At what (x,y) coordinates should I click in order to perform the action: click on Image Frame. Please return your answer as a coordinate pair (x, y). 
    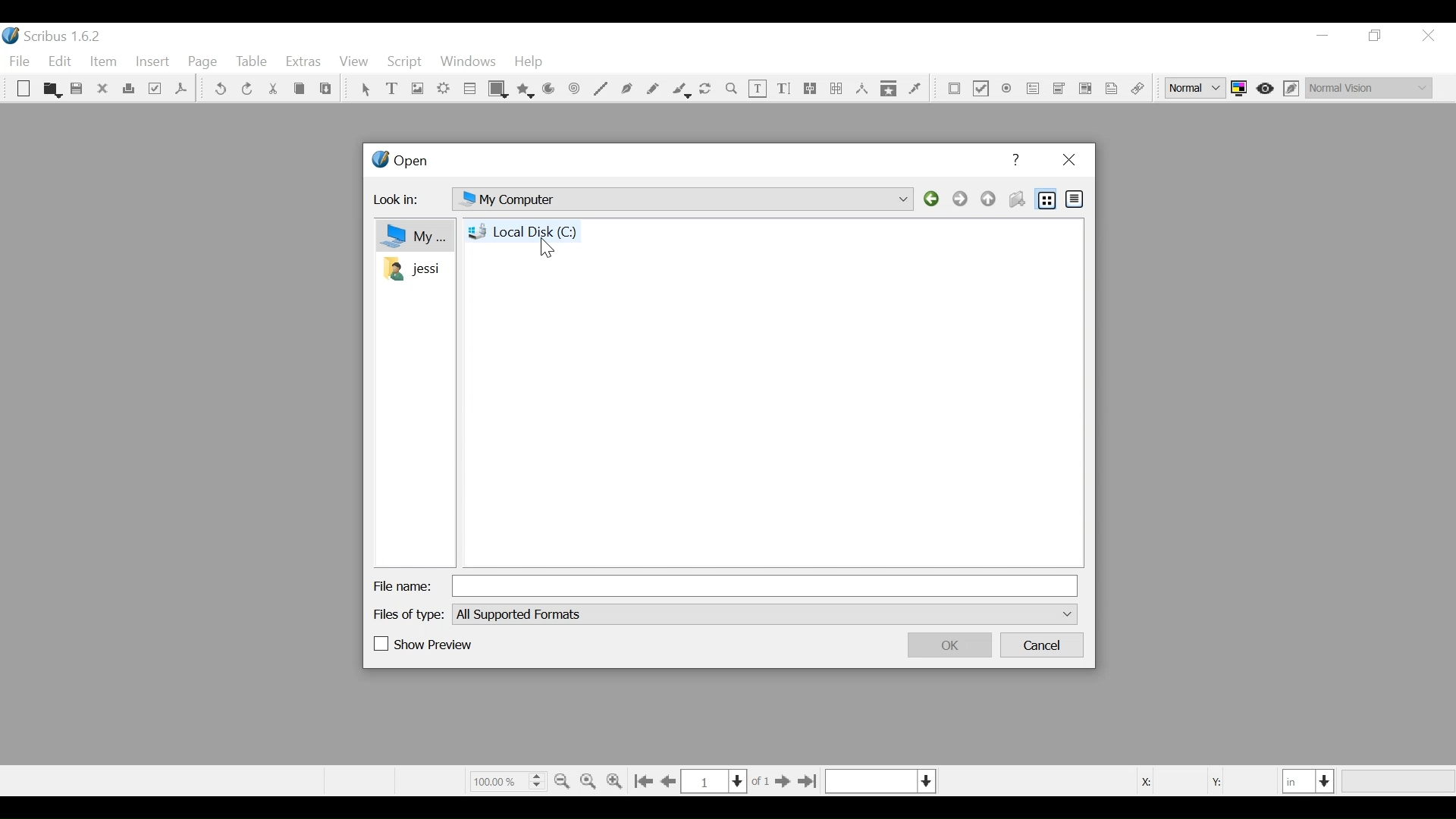
    Looking at the image, I should click on (416, 89).